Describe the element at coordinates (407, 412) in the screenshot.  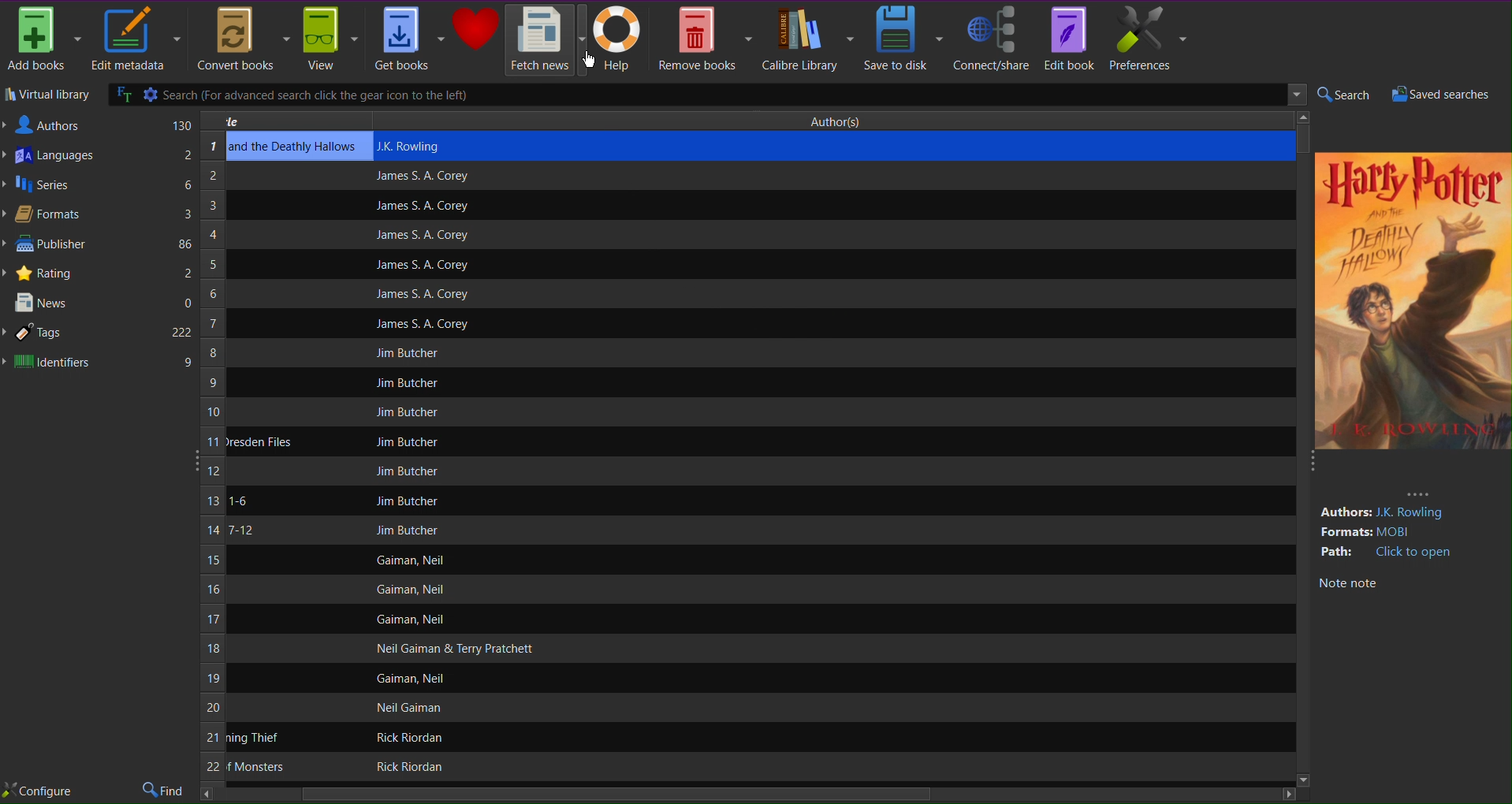
I see `Jim Butcher` at that location.